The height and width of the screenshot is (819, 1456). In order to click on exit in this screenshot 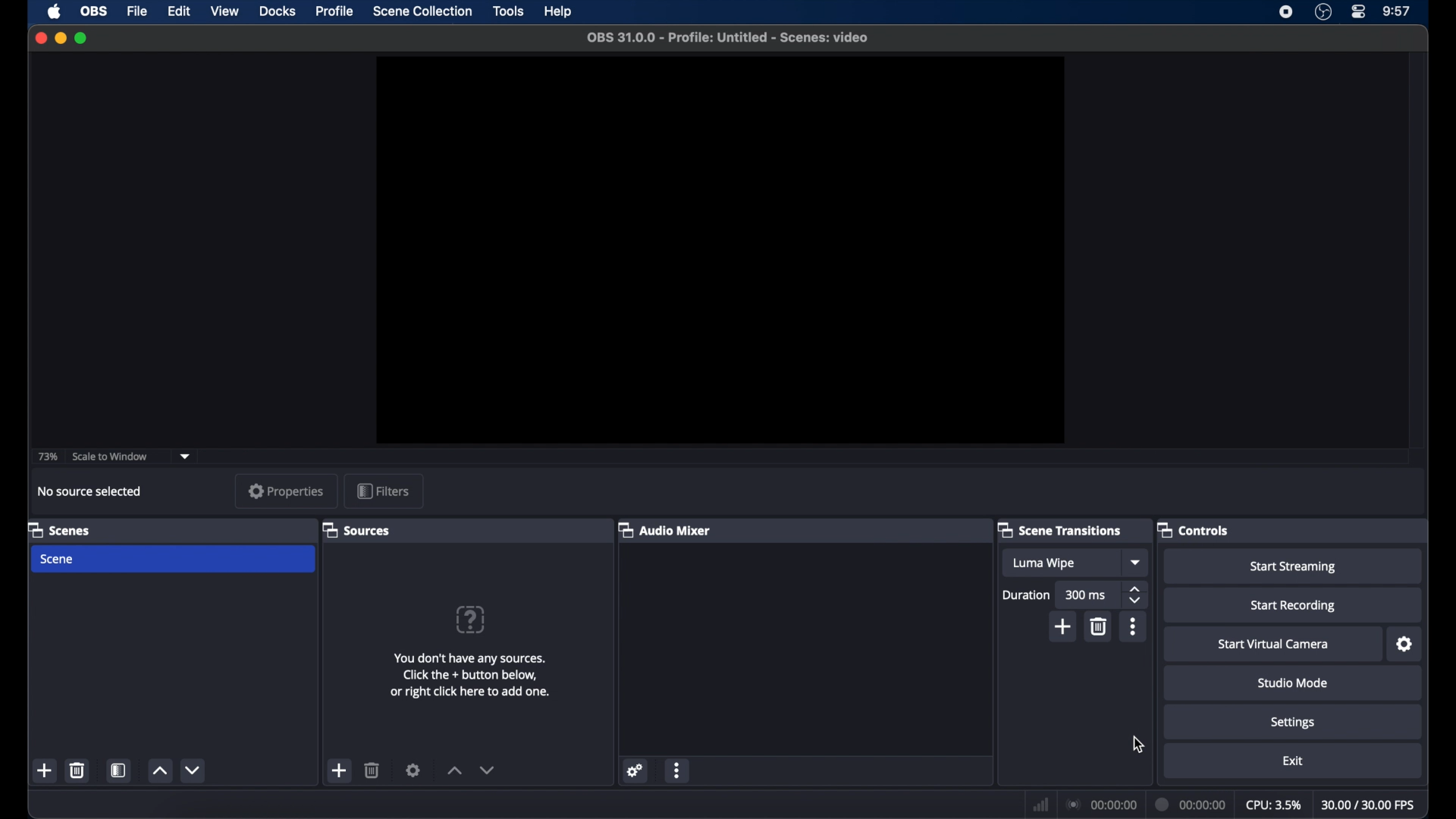, I will do `click(1292, 761)`.